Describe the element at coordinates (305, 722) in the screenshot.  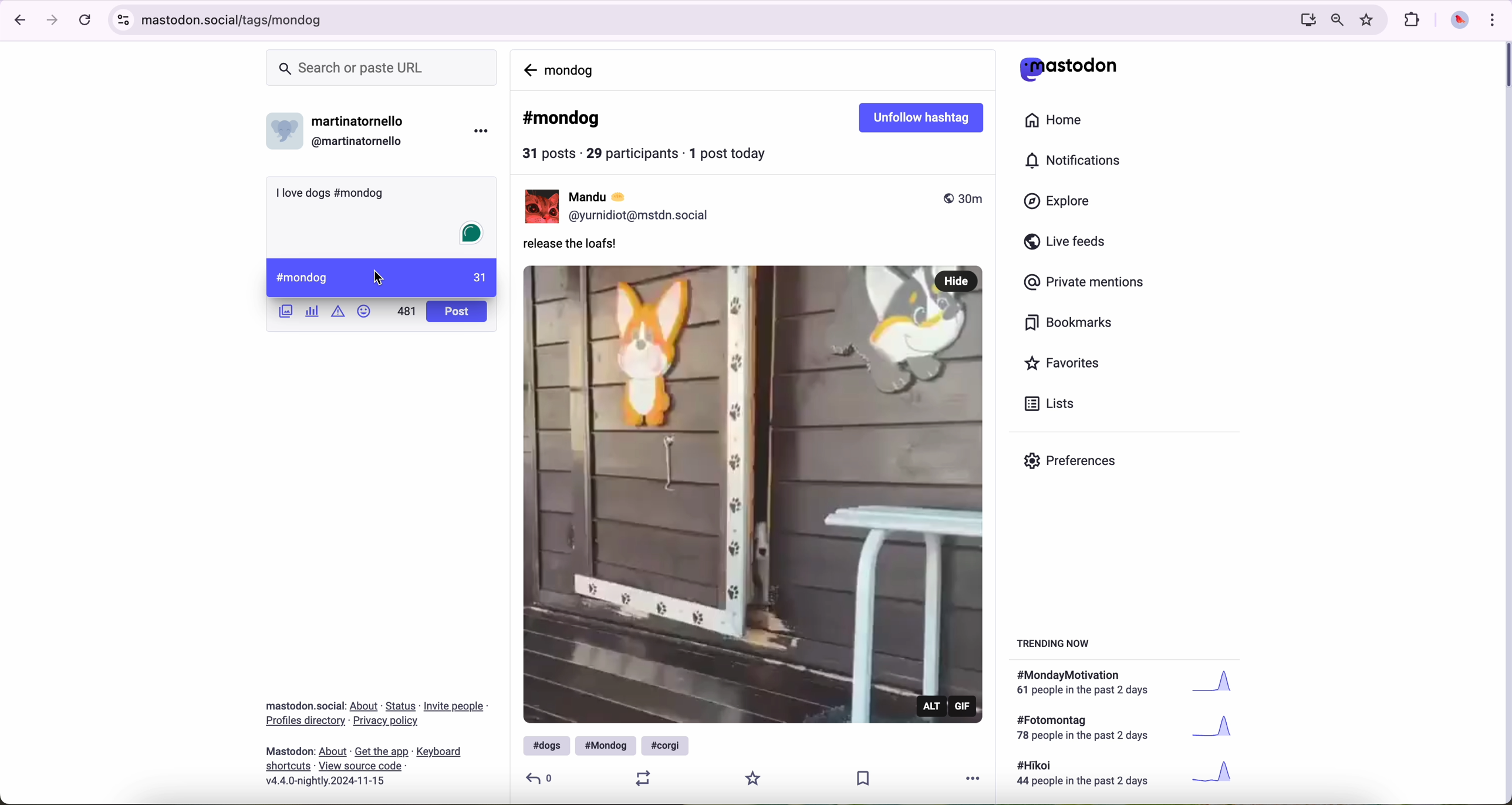
I see `link` at that location.